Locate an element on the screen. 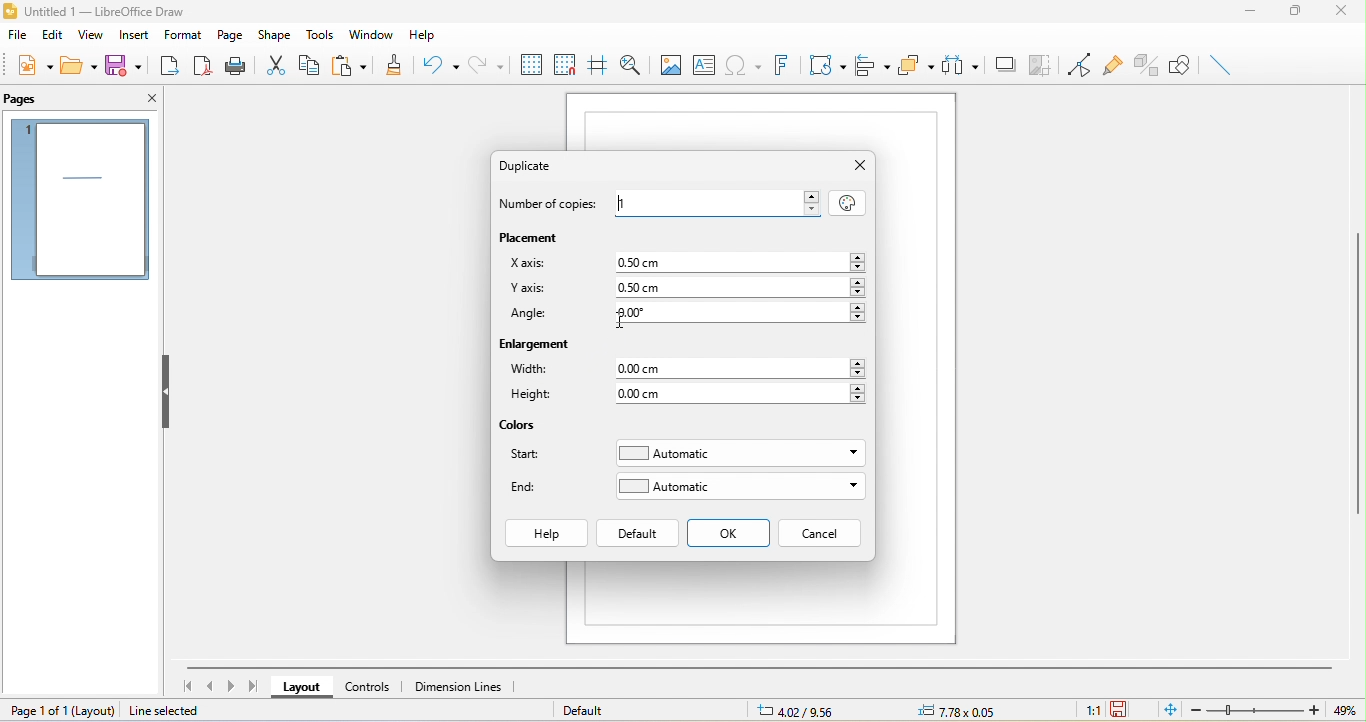 The image size is (1366, 722). format is located at coordinates (184, 33).